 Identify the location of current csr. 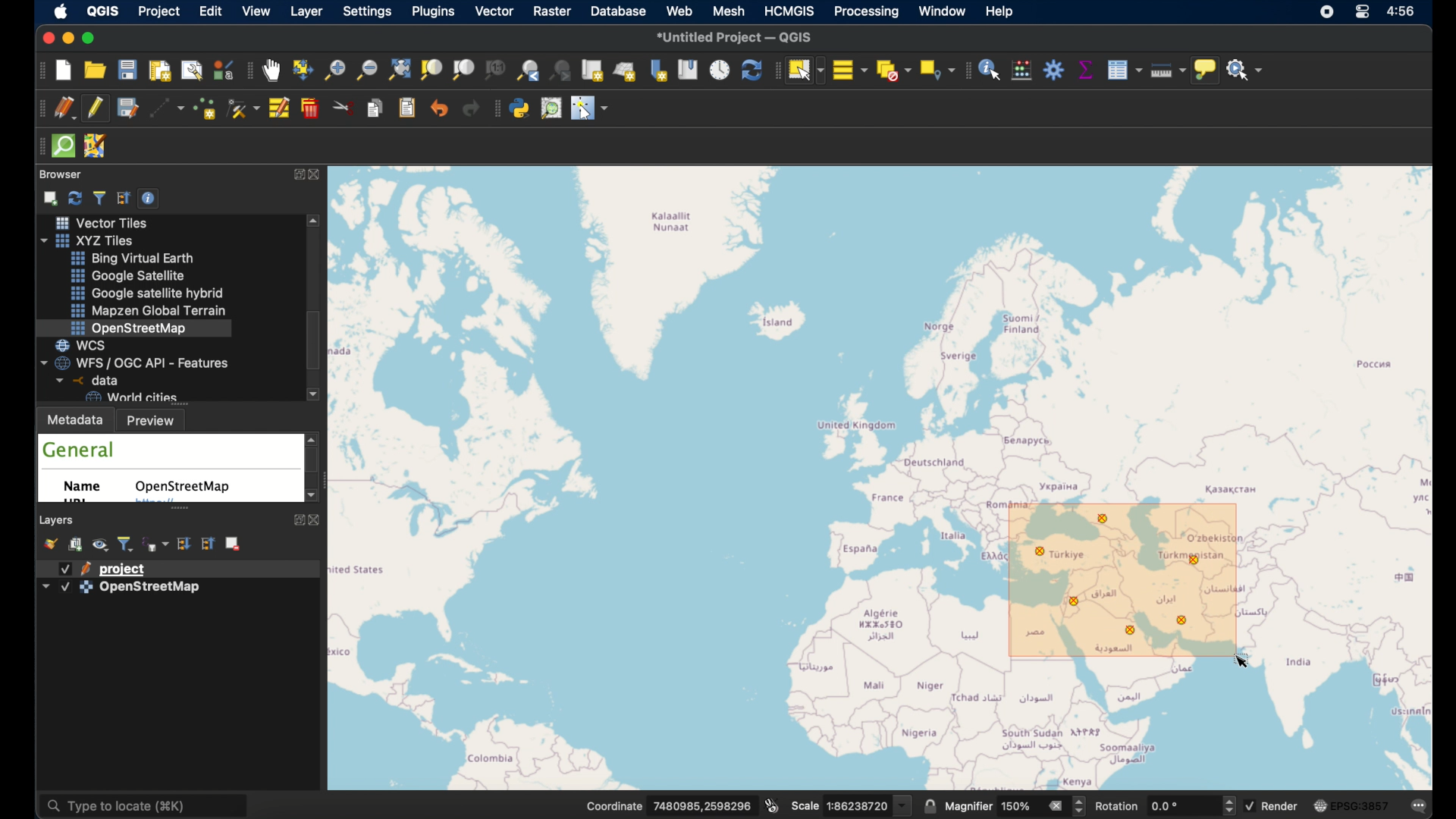
(1350, 806).